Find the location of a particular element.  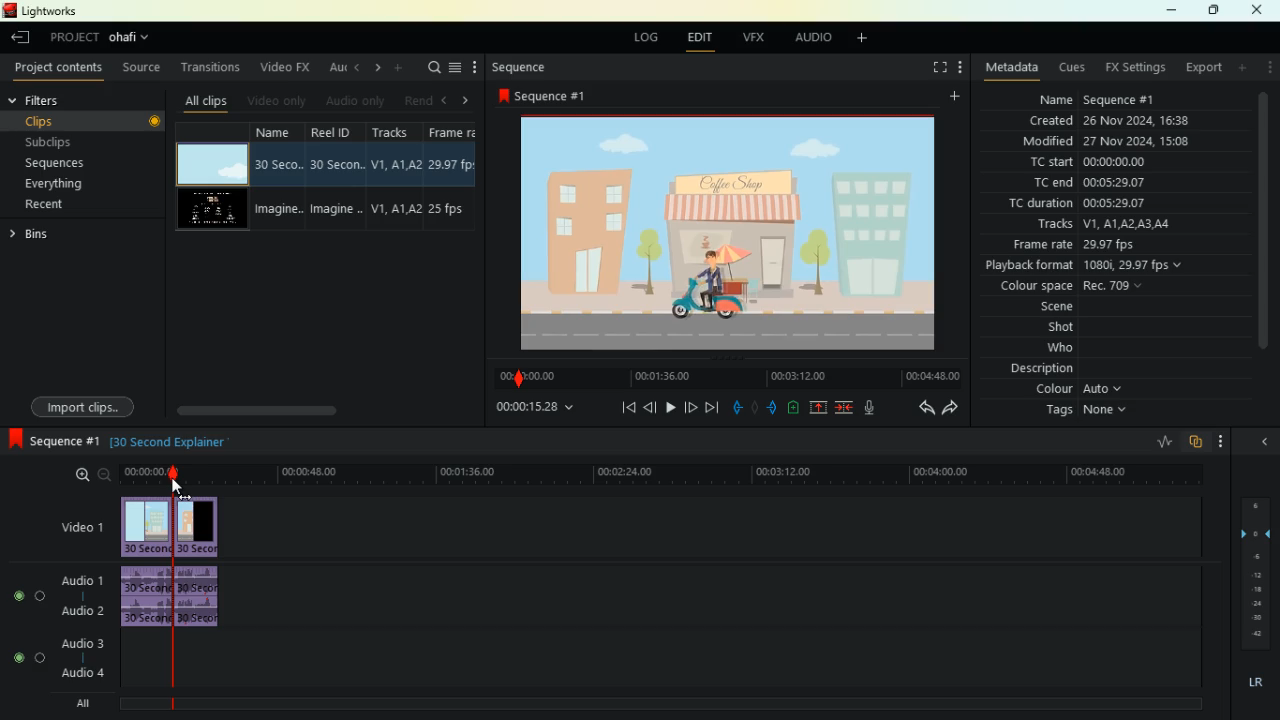

timeline is located at coordinates (722, 379).